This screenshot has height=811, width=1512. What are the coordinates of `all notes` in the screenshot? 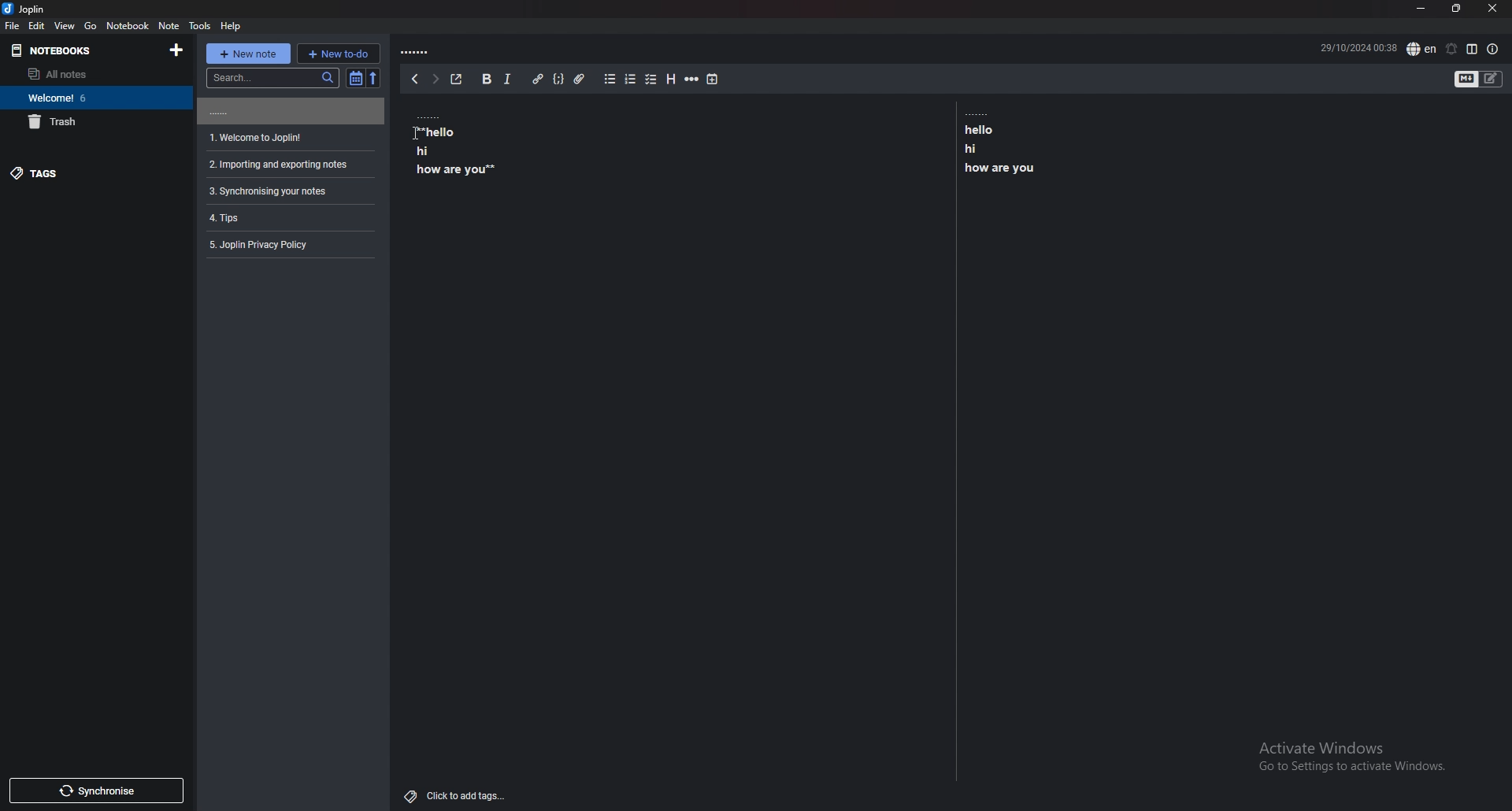 It's located at (88, 73).